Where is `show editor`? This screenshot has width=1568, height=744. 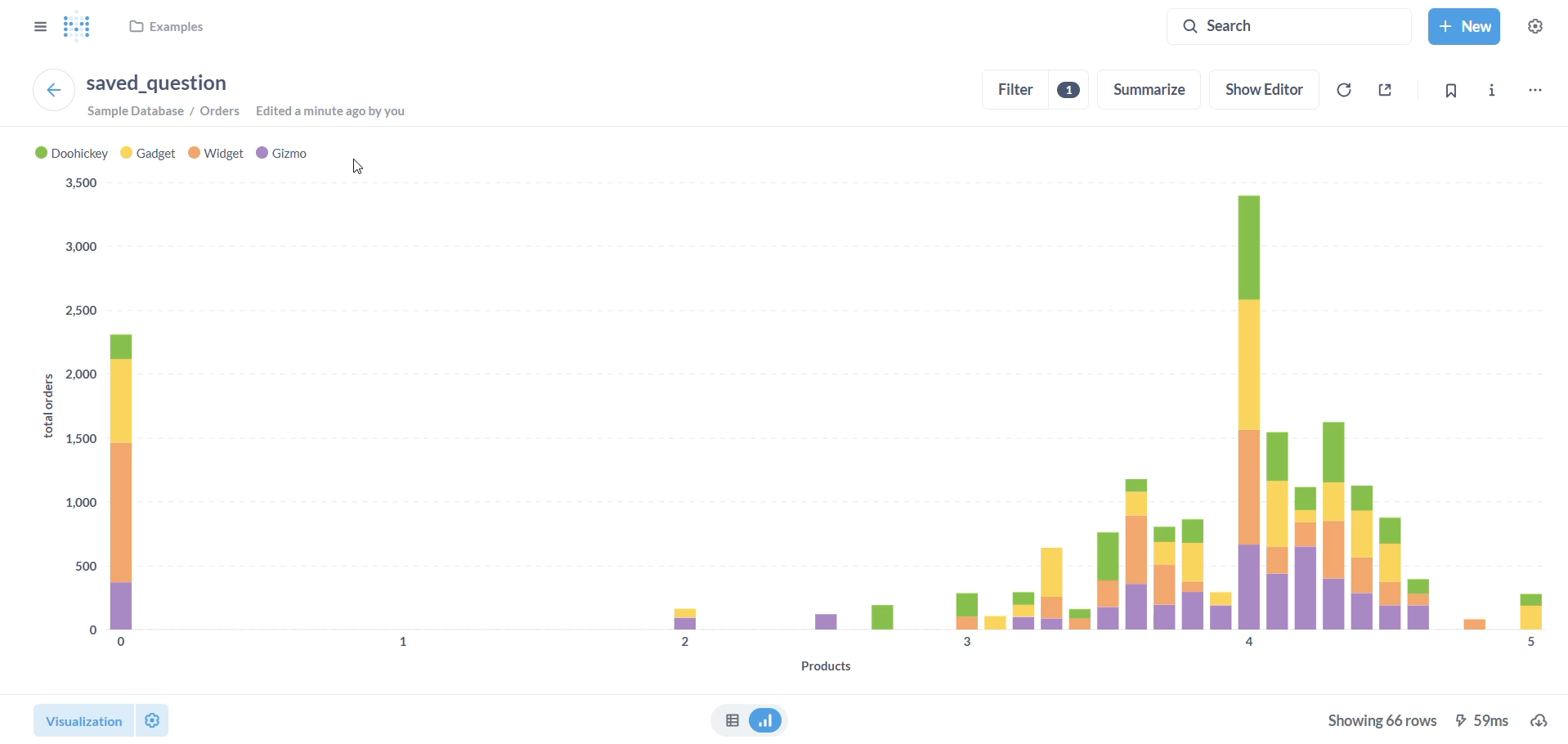
show editor is located at coordinates (1265, 87).